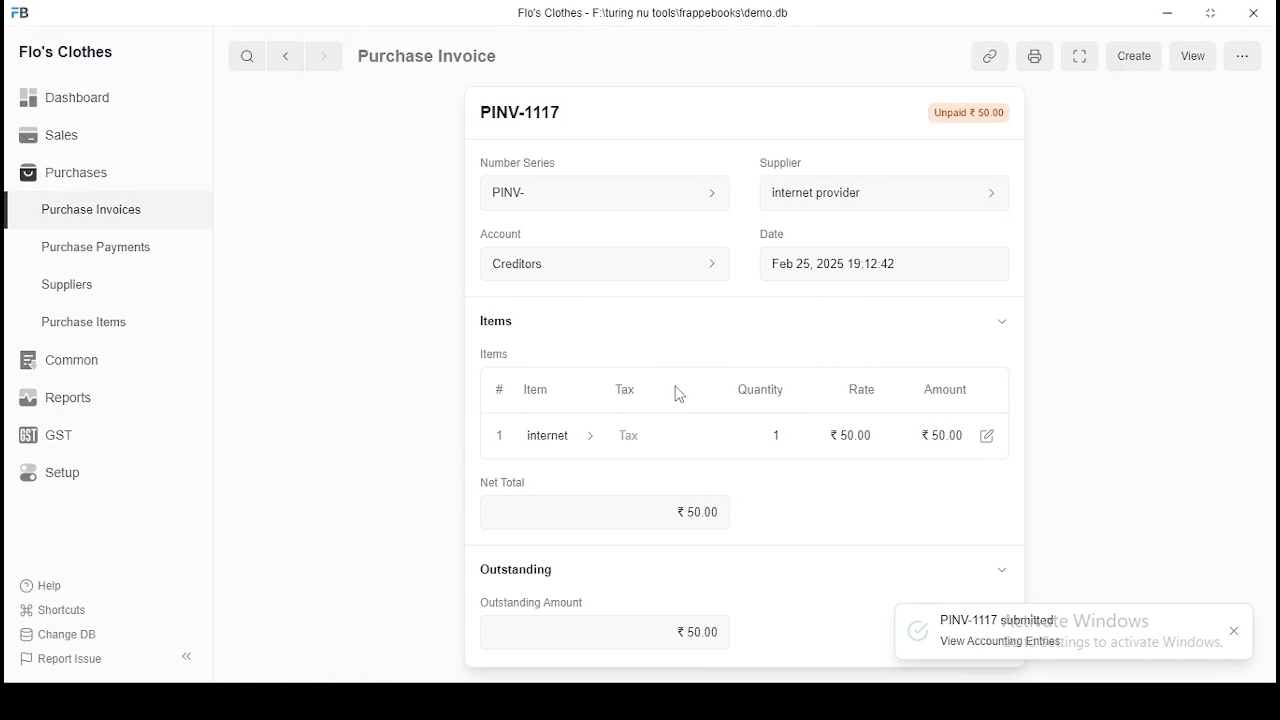 The image size is (1280, 720). Describe the element at coordinates (503, 484) in the screenshot. I see `net total` at that location.